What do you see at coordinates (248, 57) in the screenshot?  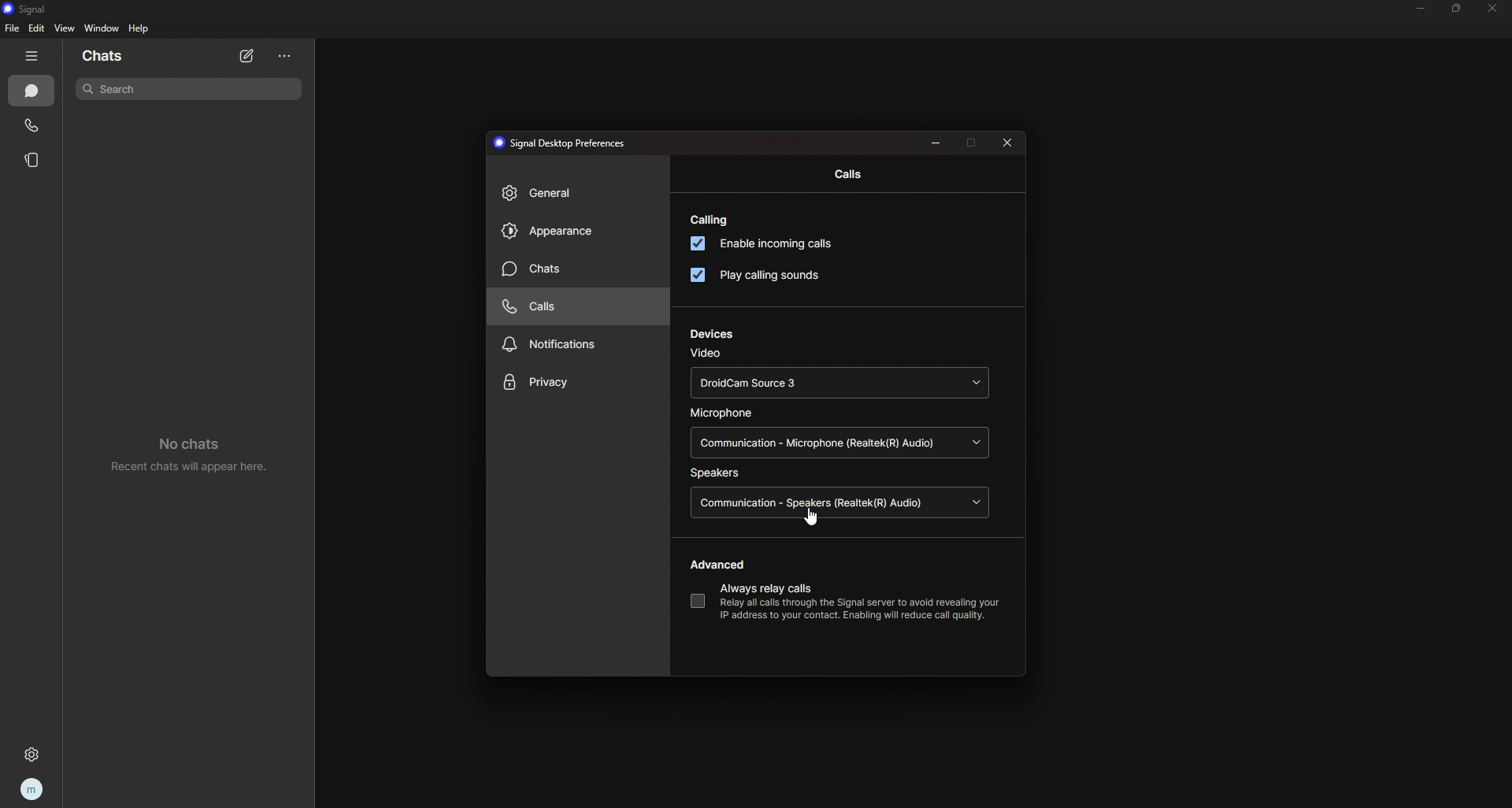 I see `new chat` at bounding box center [248, 57].